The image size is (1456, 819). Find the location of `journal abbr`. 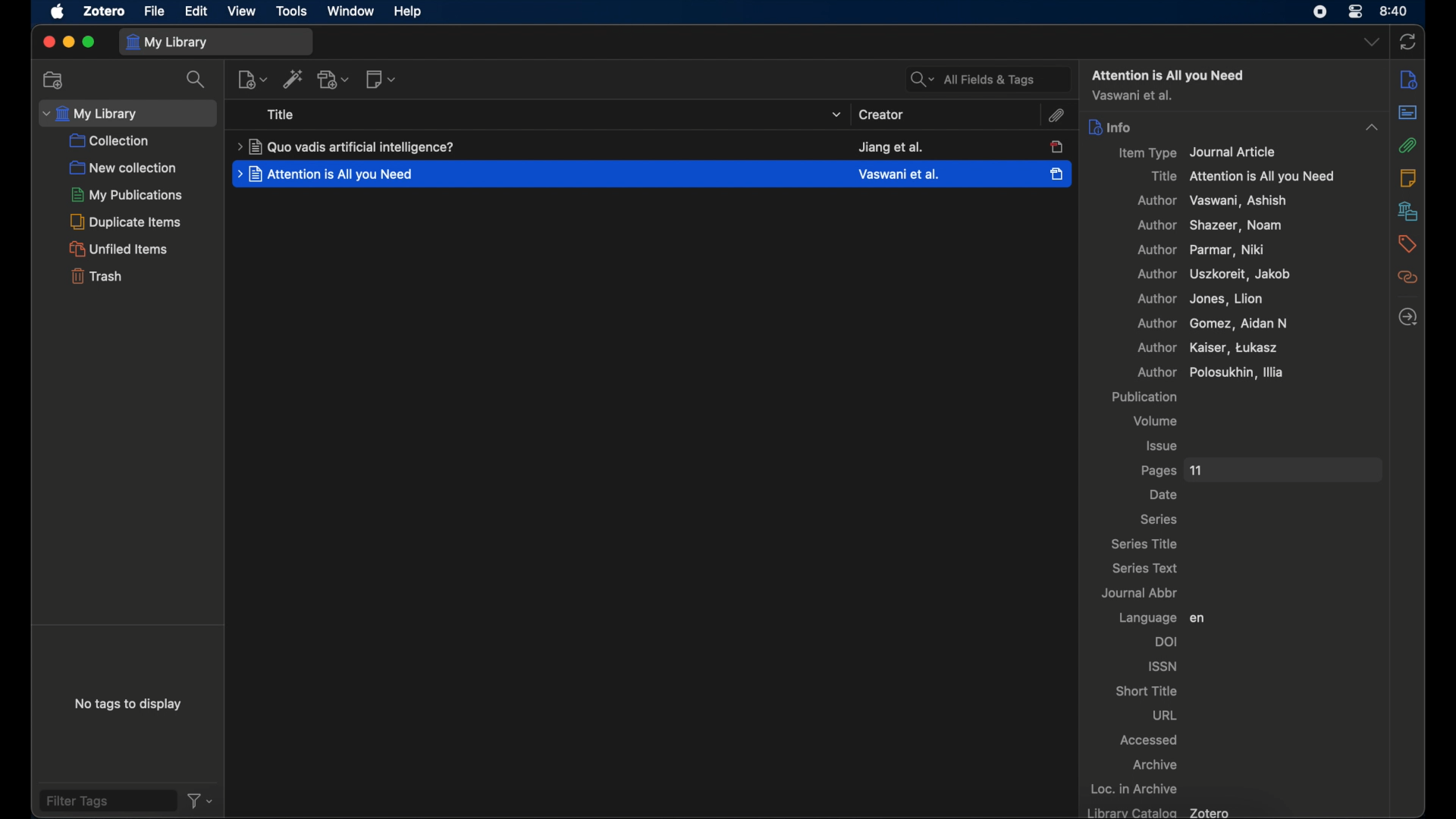

journal abbr is located at coordinates (1141, 591).